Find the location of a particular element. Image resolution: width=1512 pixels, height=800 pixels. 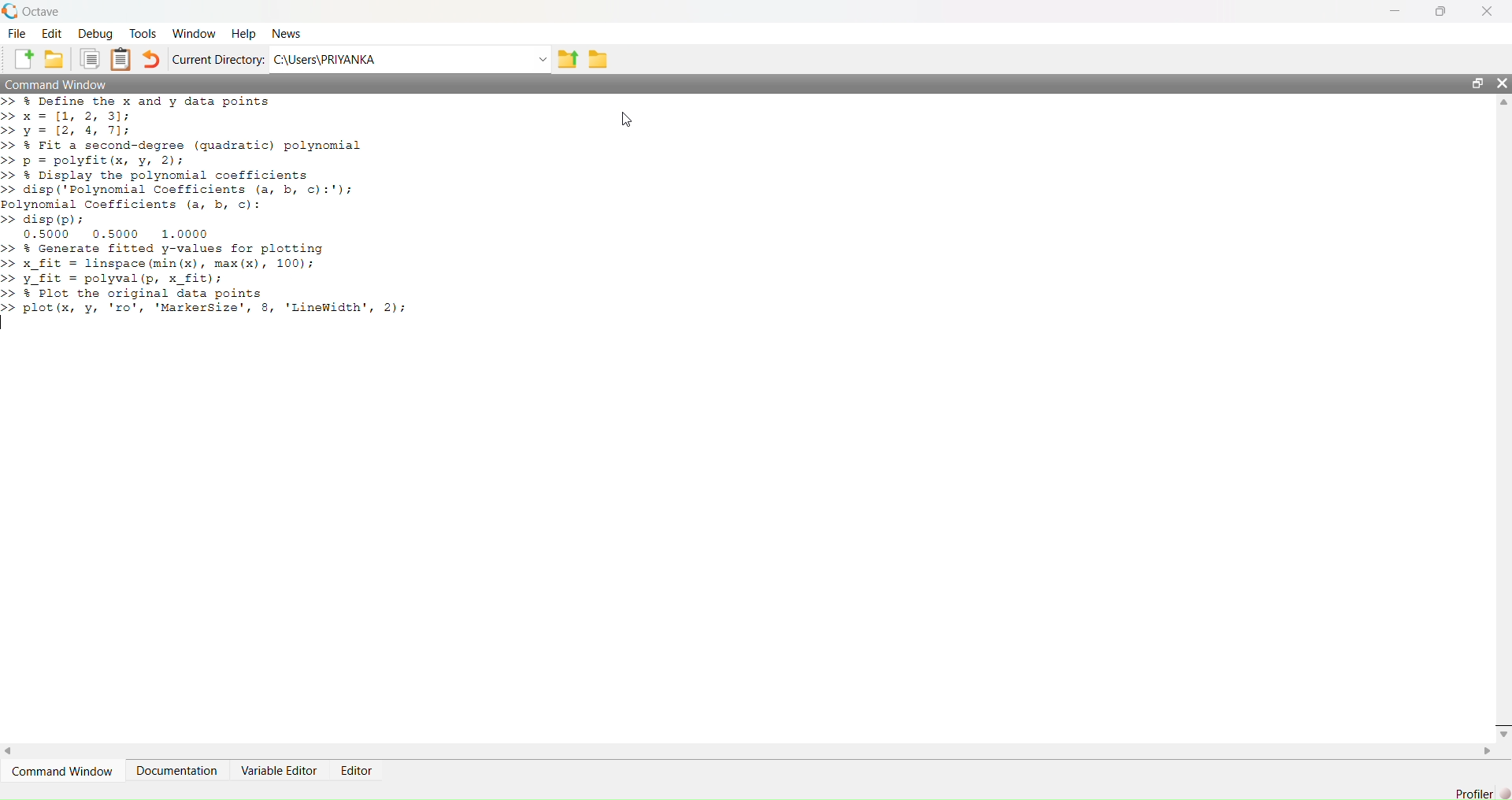

Open an existing file in editor is located at coordinates (57, 59).